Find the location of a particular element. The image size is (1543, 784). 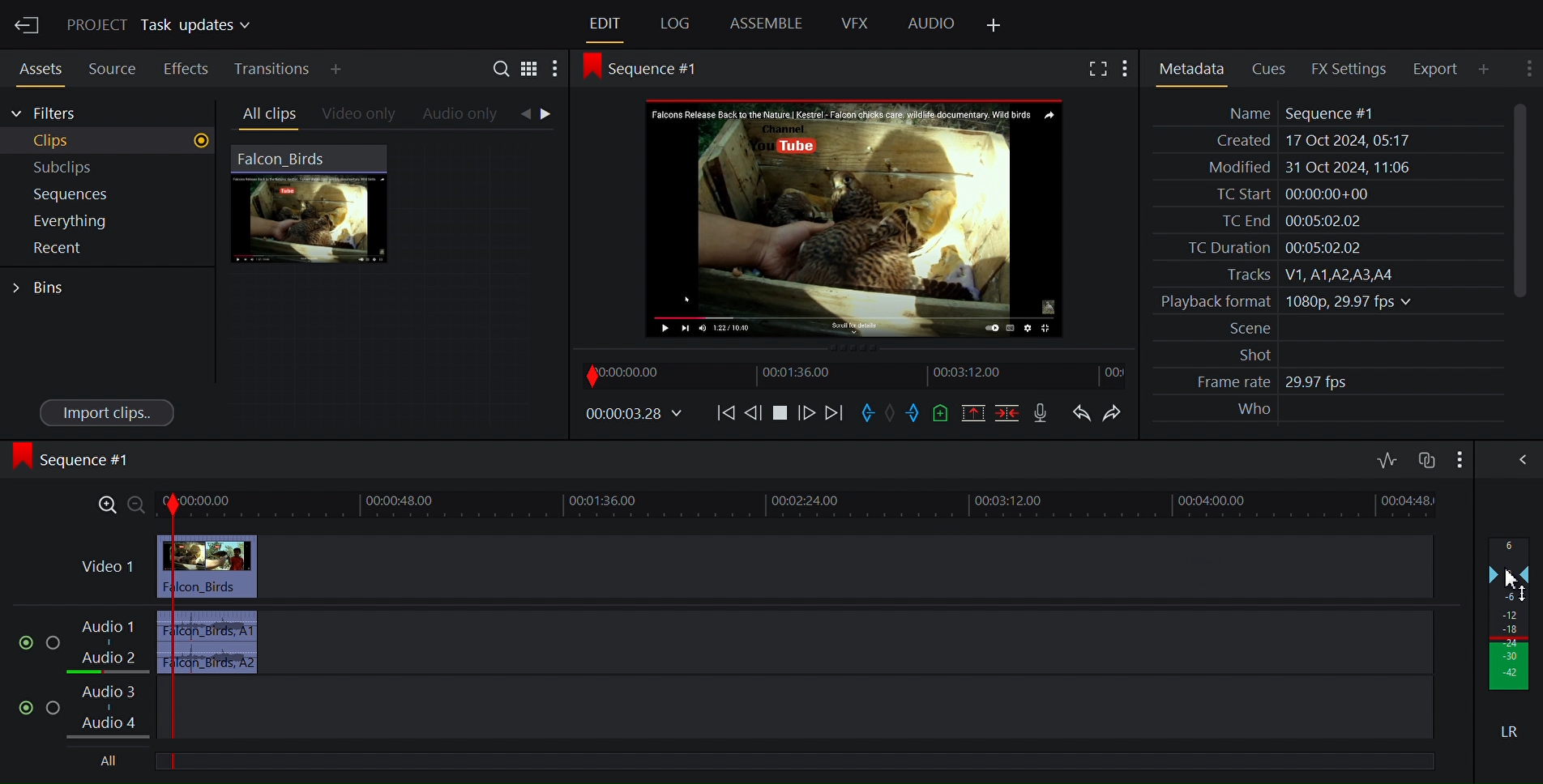

Redo is located at coordinates (1113, 411).